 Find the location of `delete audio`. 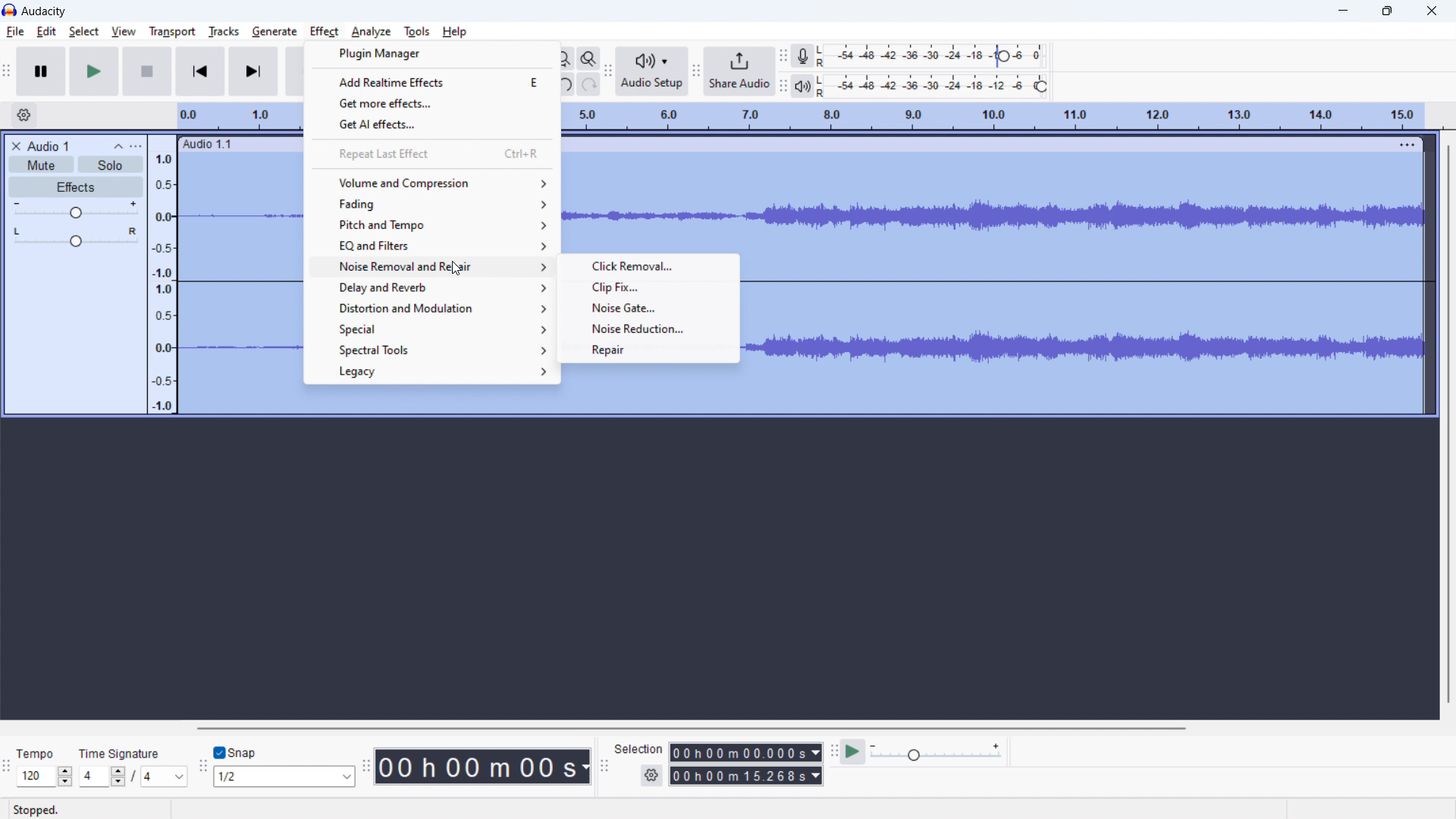

delete audio is located at coordinates (14, 146).